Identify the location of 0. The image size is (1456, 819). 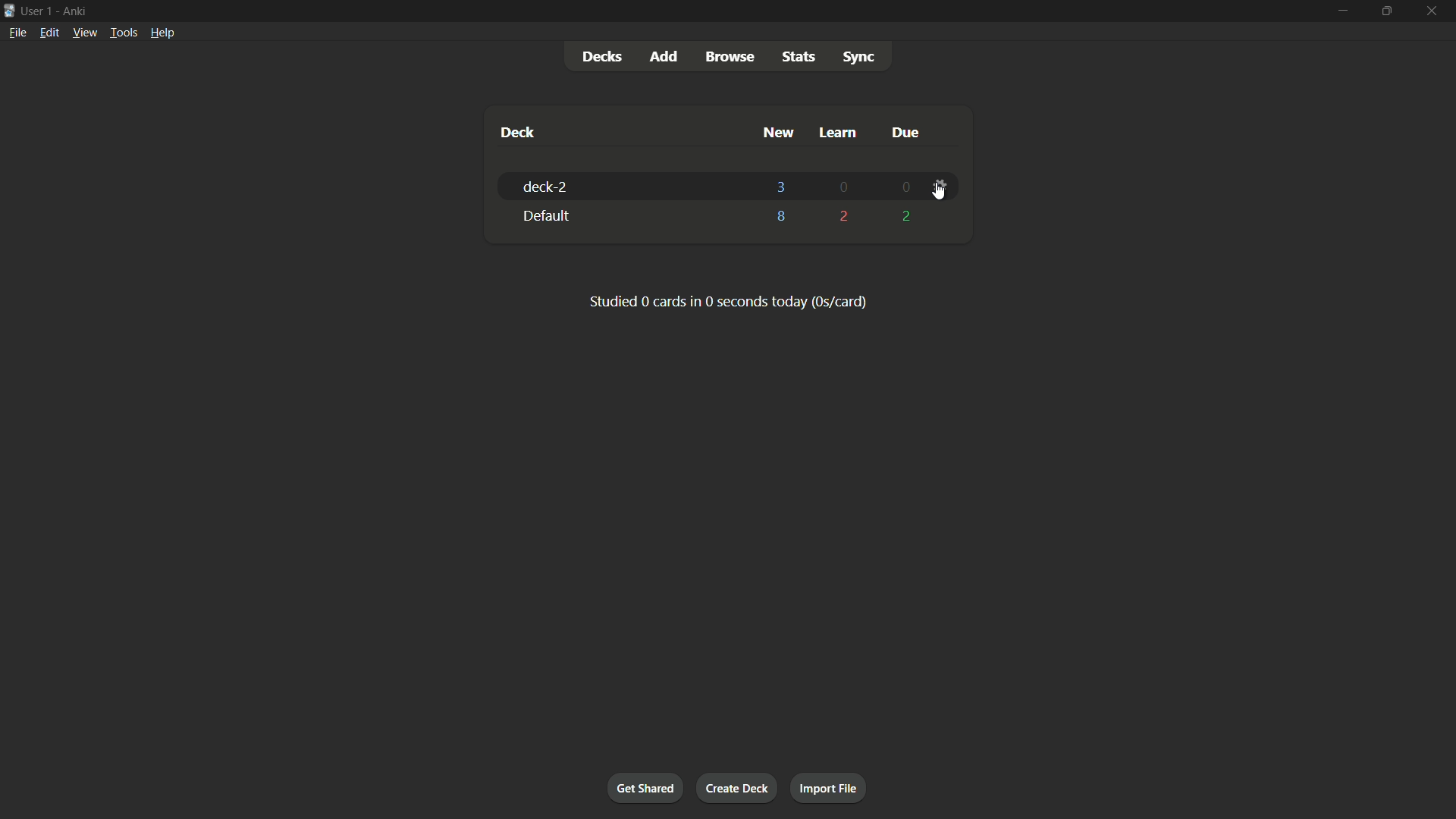
(843, 188).